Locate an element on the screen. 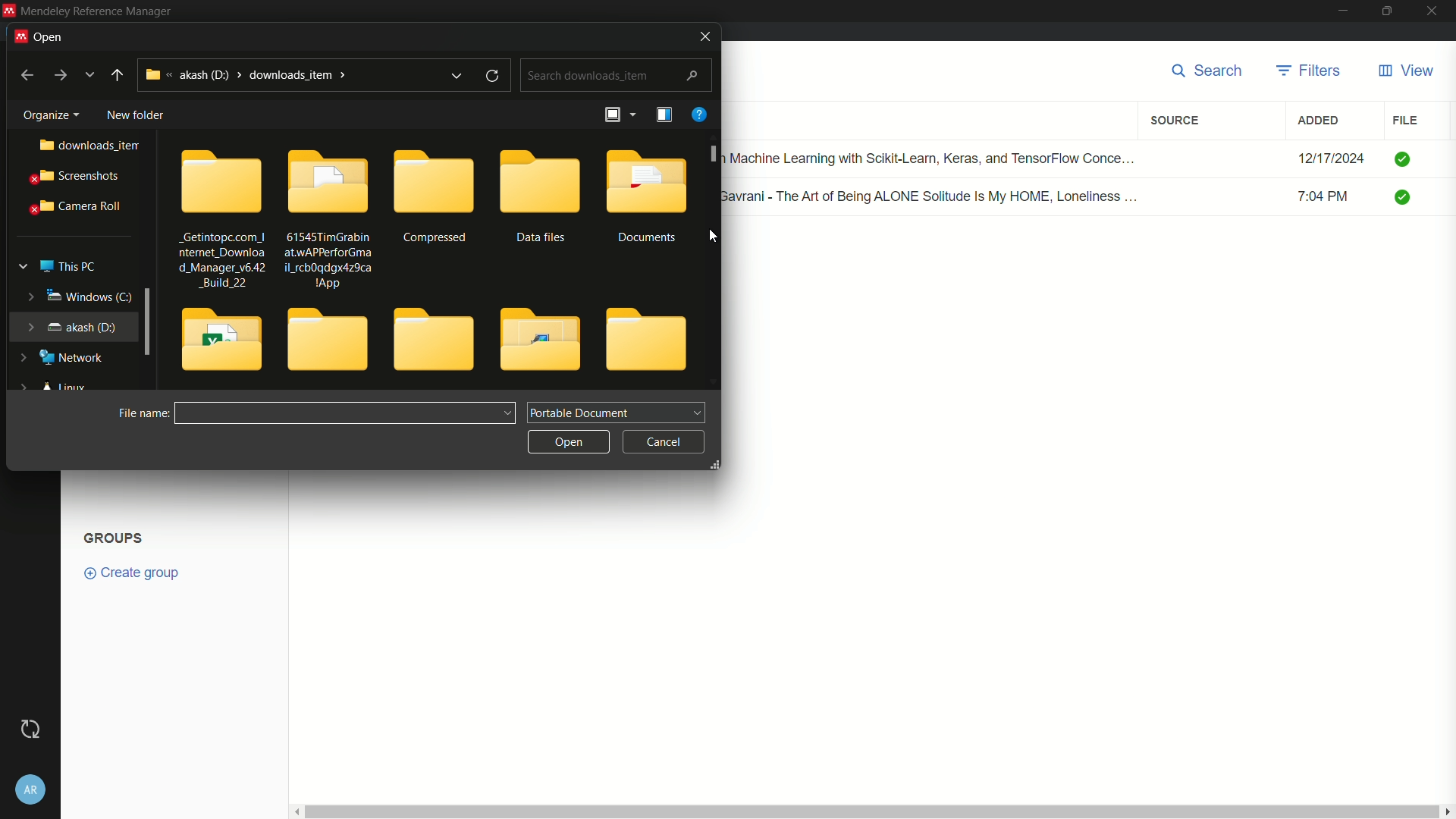 Image resolution: width=1456 pixels, height=819 pixels. create group is located at coordinates (140, 572).